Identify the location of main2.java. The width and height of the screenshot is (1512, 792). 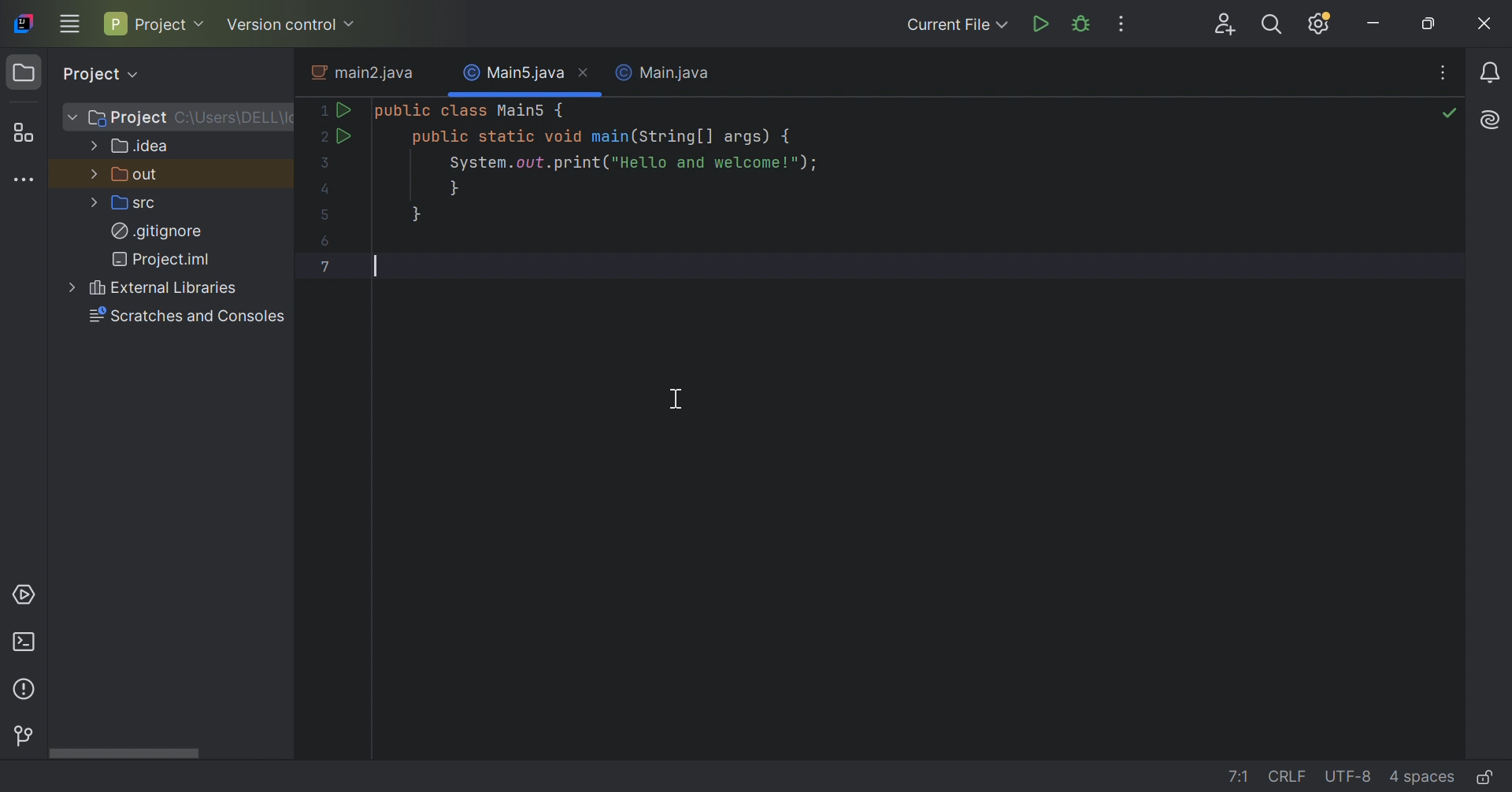
(359, 71).